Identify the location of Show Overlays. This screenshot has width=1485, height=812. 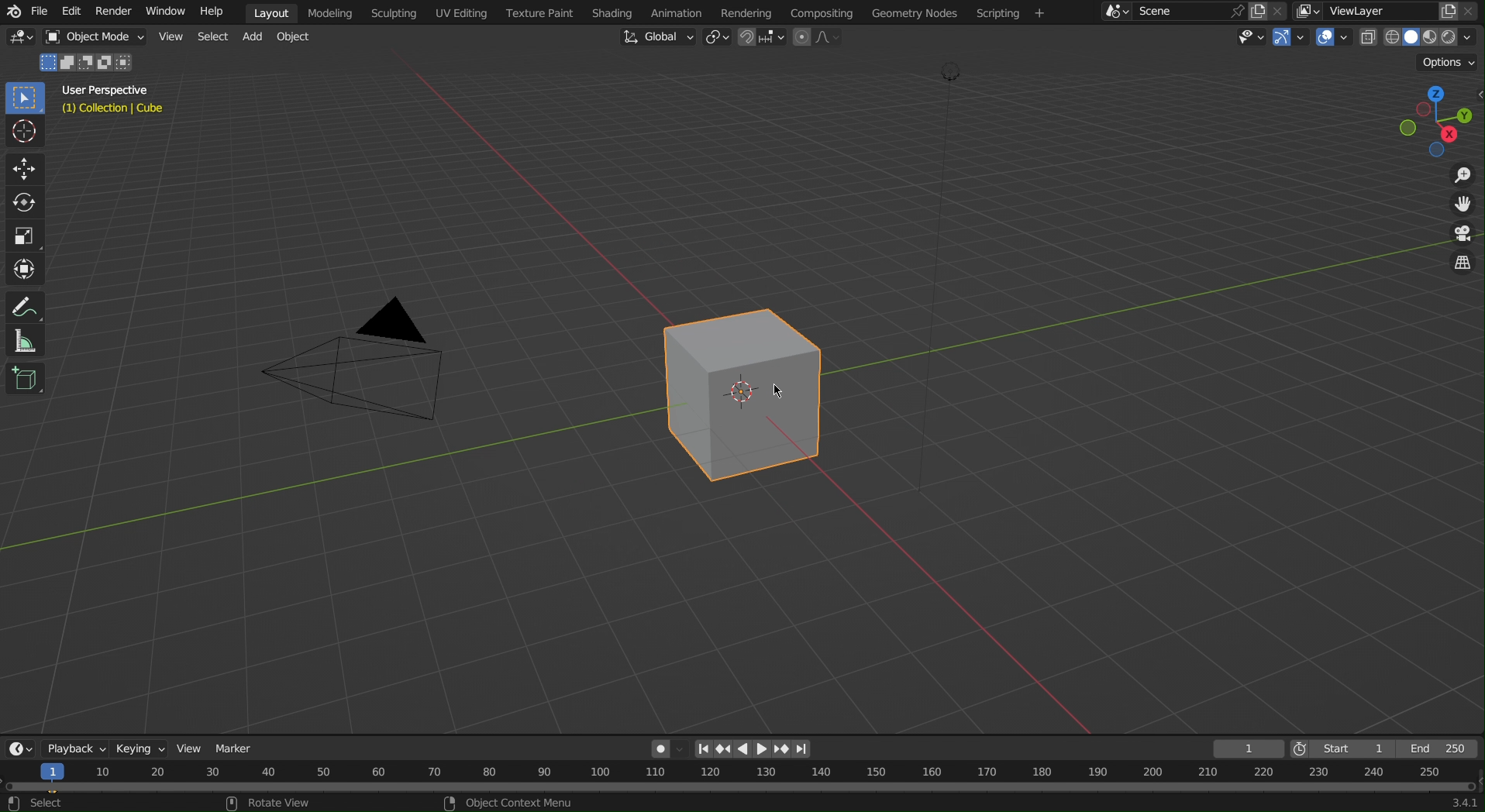
(1331, 40).